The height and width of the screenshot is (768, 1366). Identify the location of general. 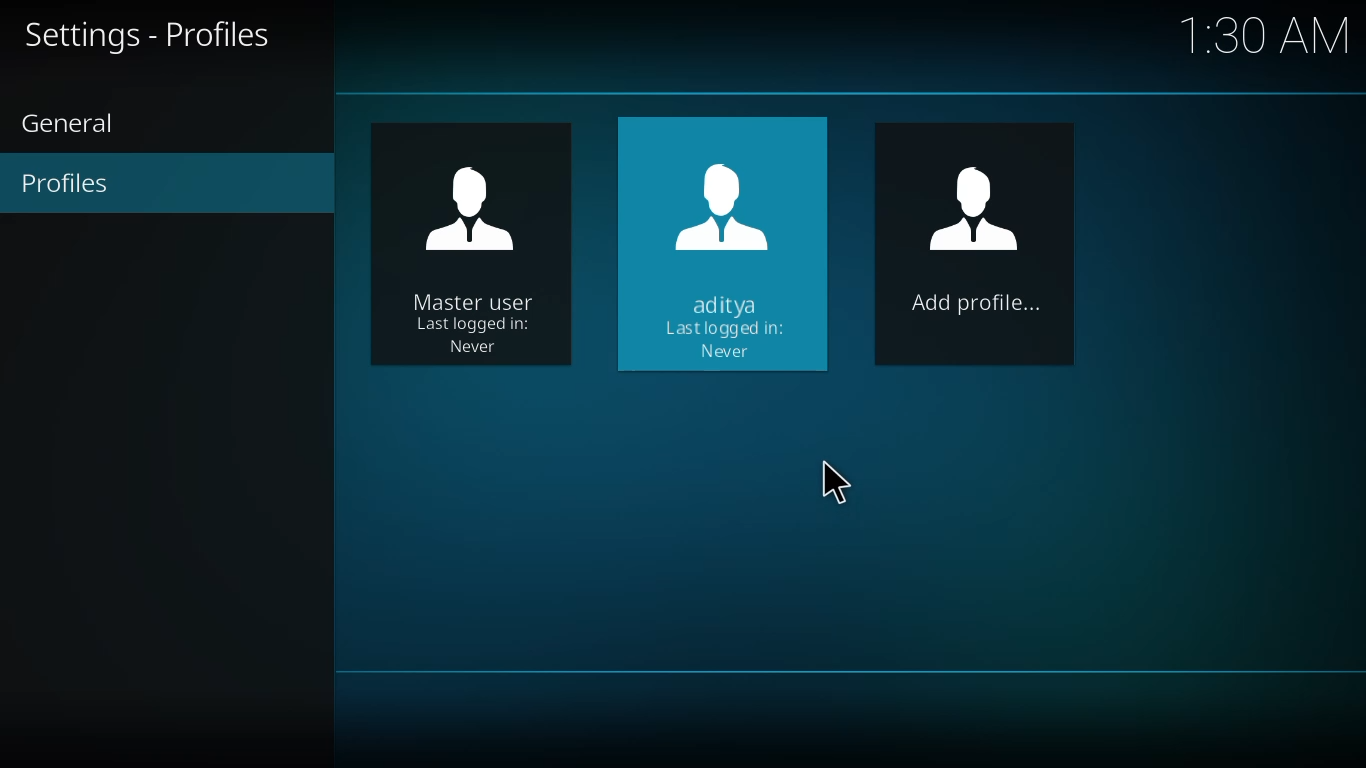
(78, 125).